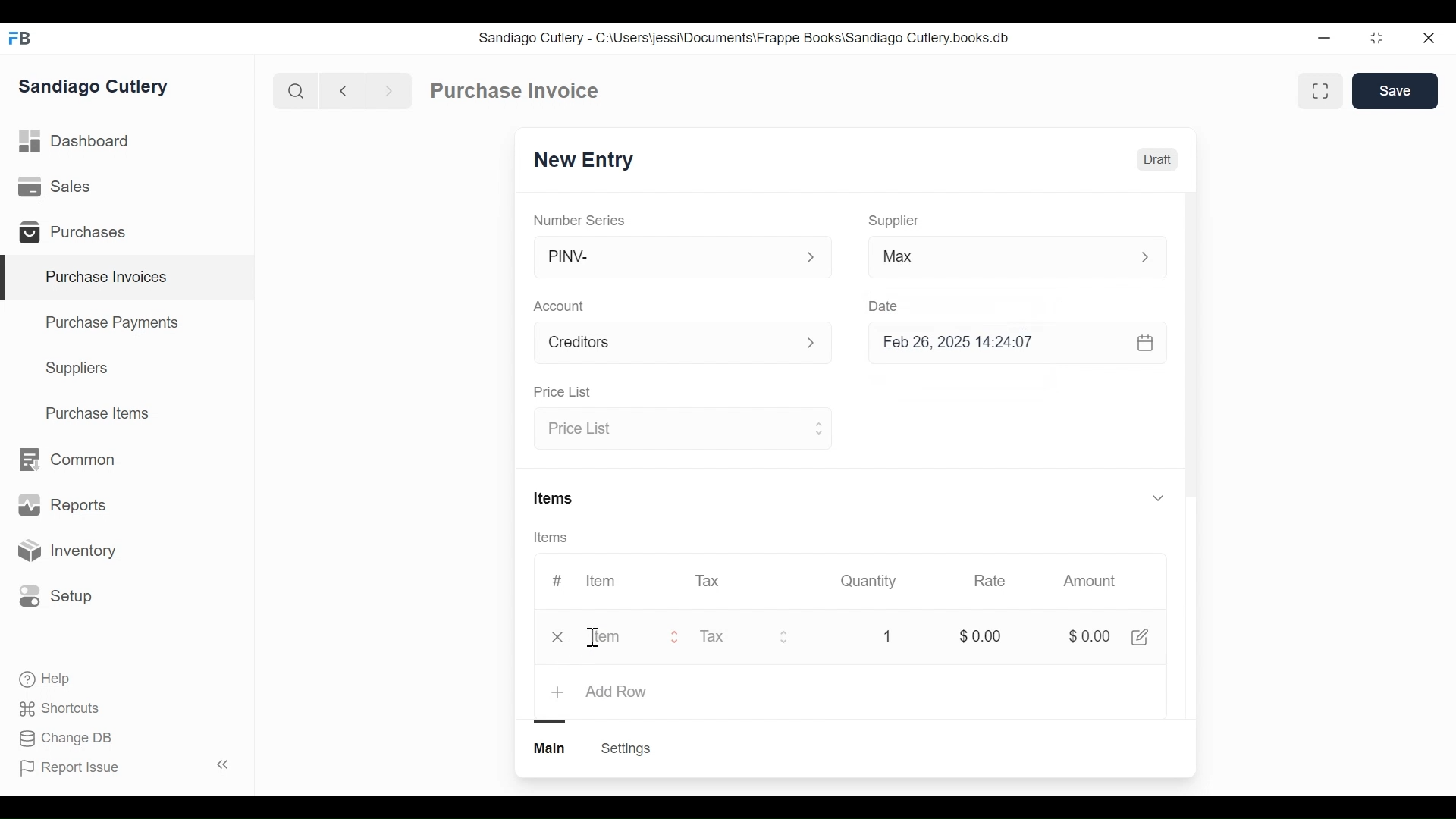 This screenshot has width=1456, height=819. What do you see at coordinates (1191, 358) in the screenshot?
I see `Vertical Scroll bar` at bounding box center [1191, 358].